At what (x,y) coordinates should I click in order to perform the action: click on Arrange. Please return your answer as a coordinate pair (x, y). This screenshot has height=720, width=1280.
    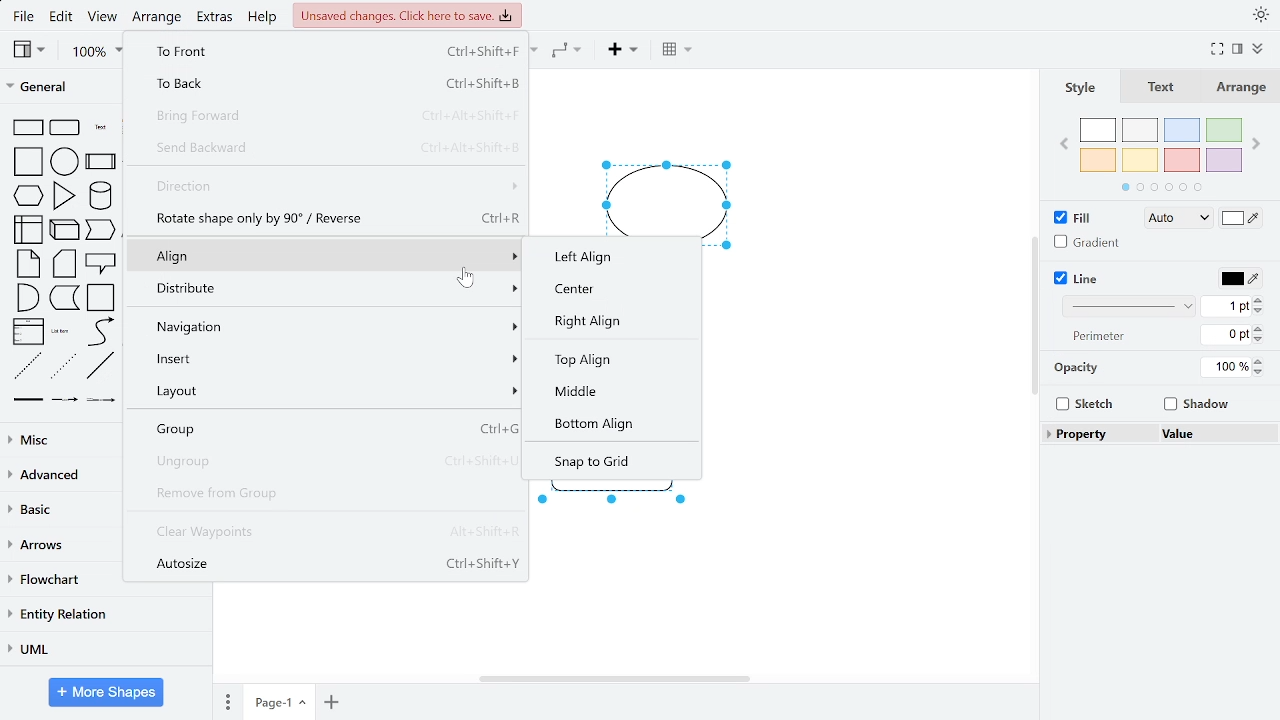
    Looking at the image, I should click on (1237, 86).